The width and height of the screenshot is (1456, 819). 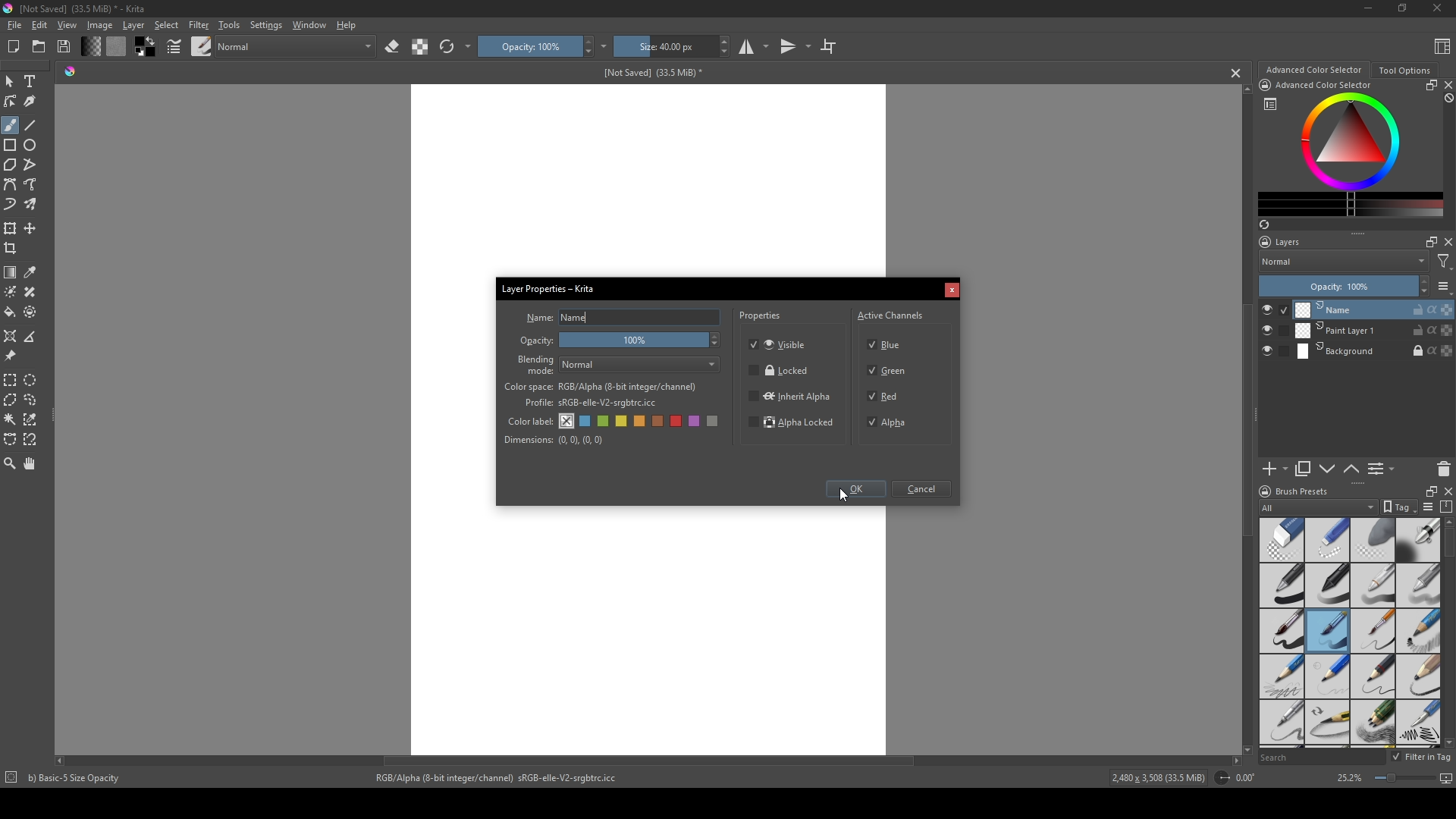 I want to click on decrease, so click(x=1423, y=293).